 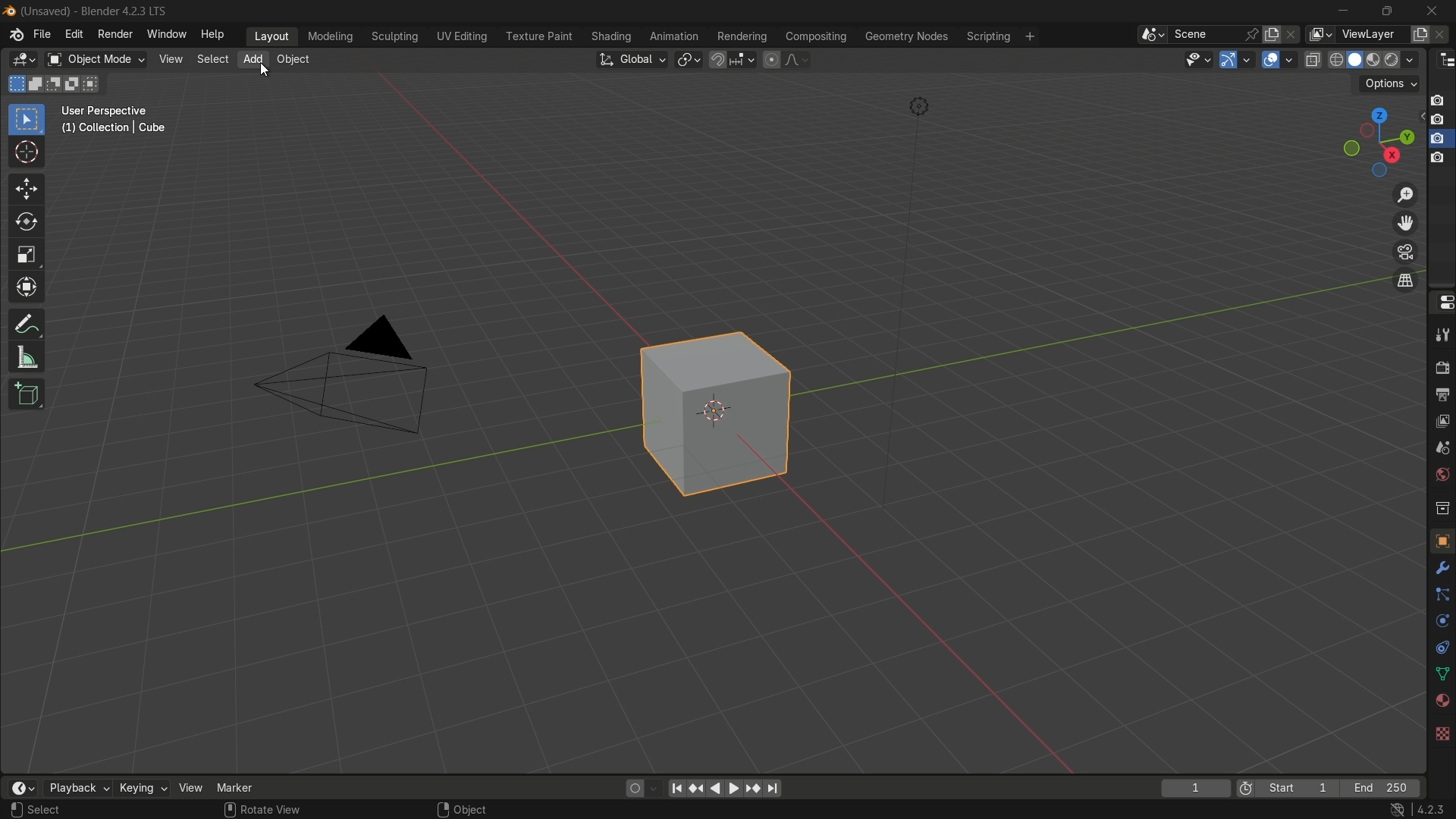 I want to click on wireframe, so click(x=1336, y=59).